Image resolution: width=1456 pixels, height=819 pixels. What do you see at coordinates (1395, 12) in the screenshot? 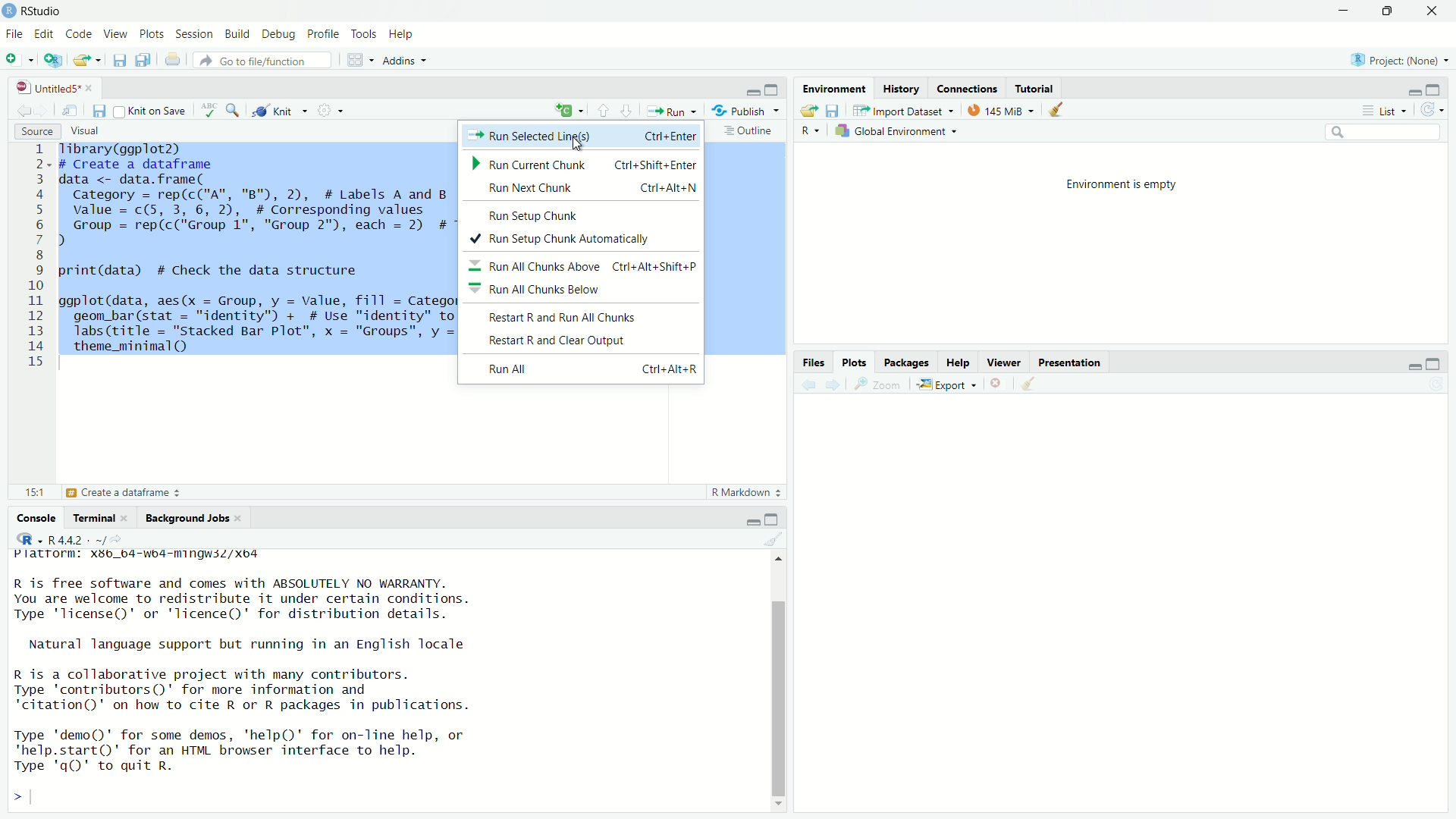
I see `Maximize` at bounding box center [1395, 12].